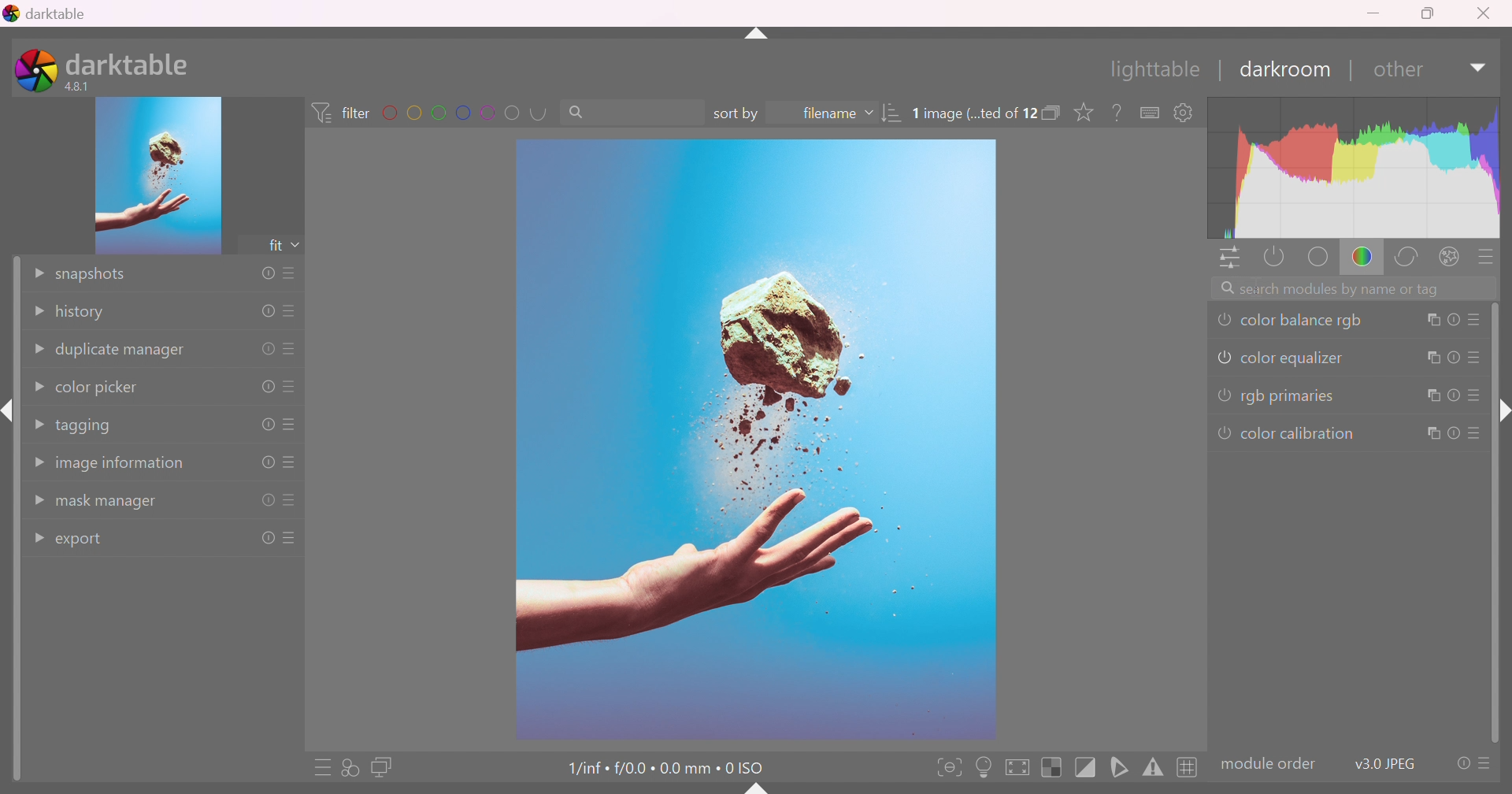  What do you see at coordinates (37, 273) in the screenshot?
I see `Drop Down` at bounding box center [37, 273].